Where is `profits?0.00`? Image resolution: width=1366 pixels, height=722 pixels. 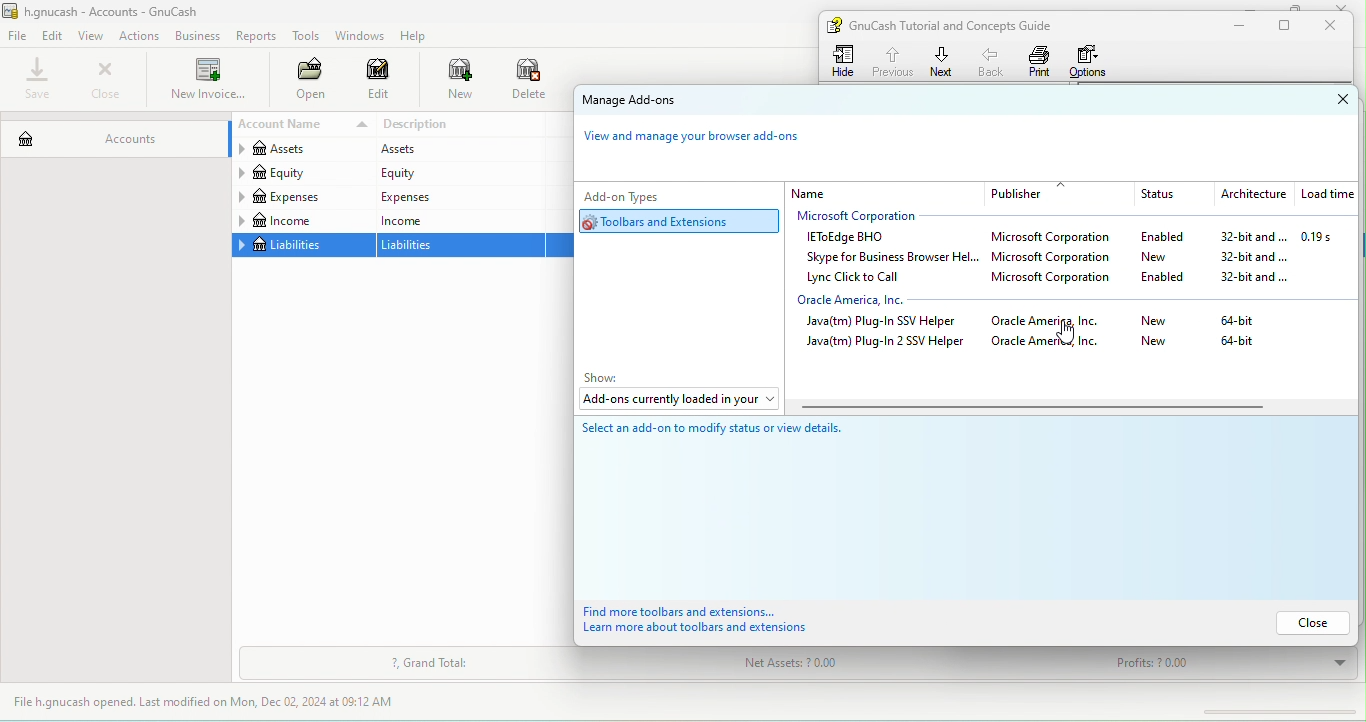 profits?0.00 is located at coordinates (1223, 664).